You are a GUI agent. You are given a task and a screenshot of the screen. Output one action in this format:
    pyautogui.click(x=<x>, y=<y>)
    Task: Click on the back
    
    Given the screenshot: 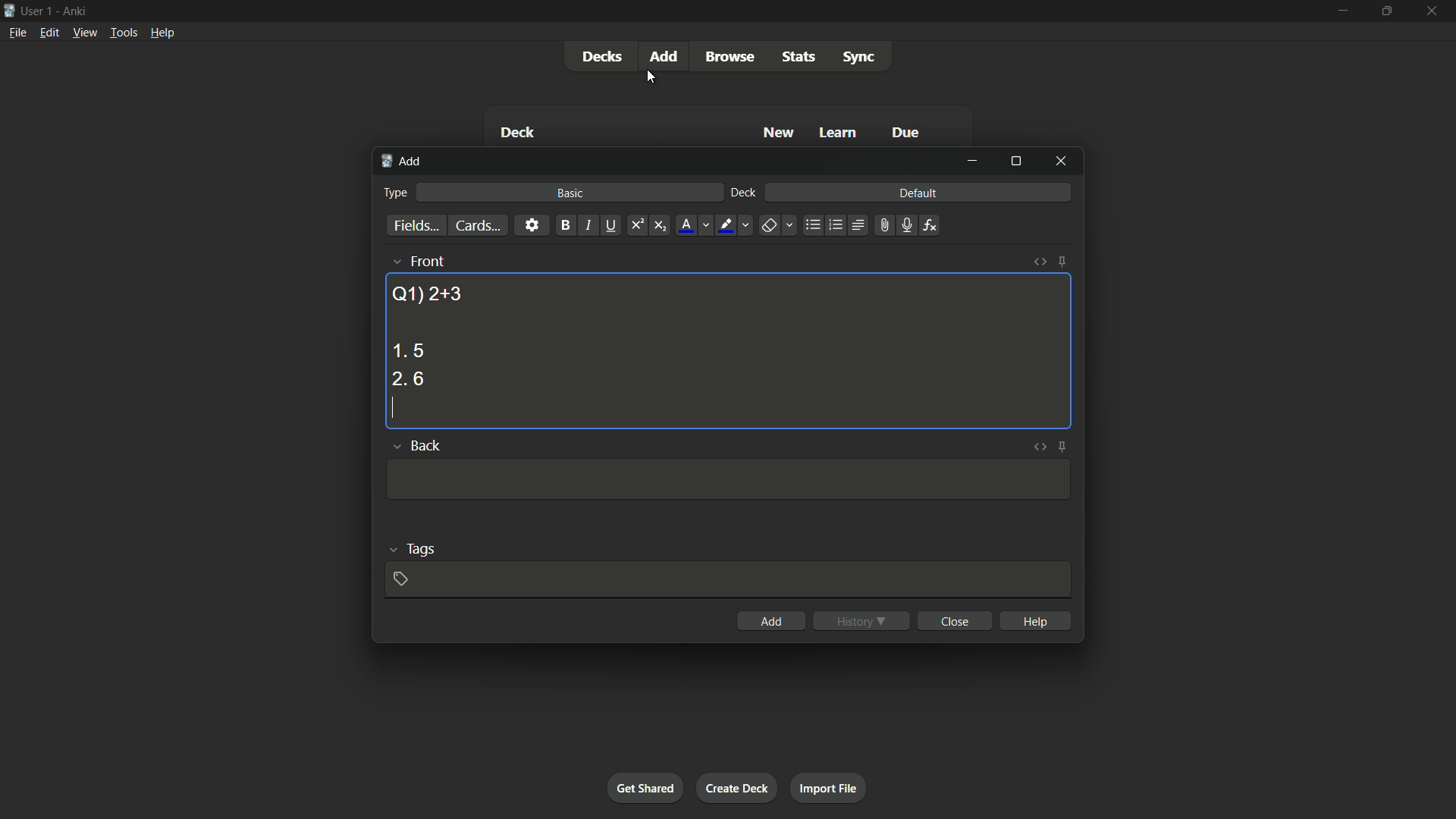 What is the action you would take?
    pyautogui.click(x=425, y=447)
    